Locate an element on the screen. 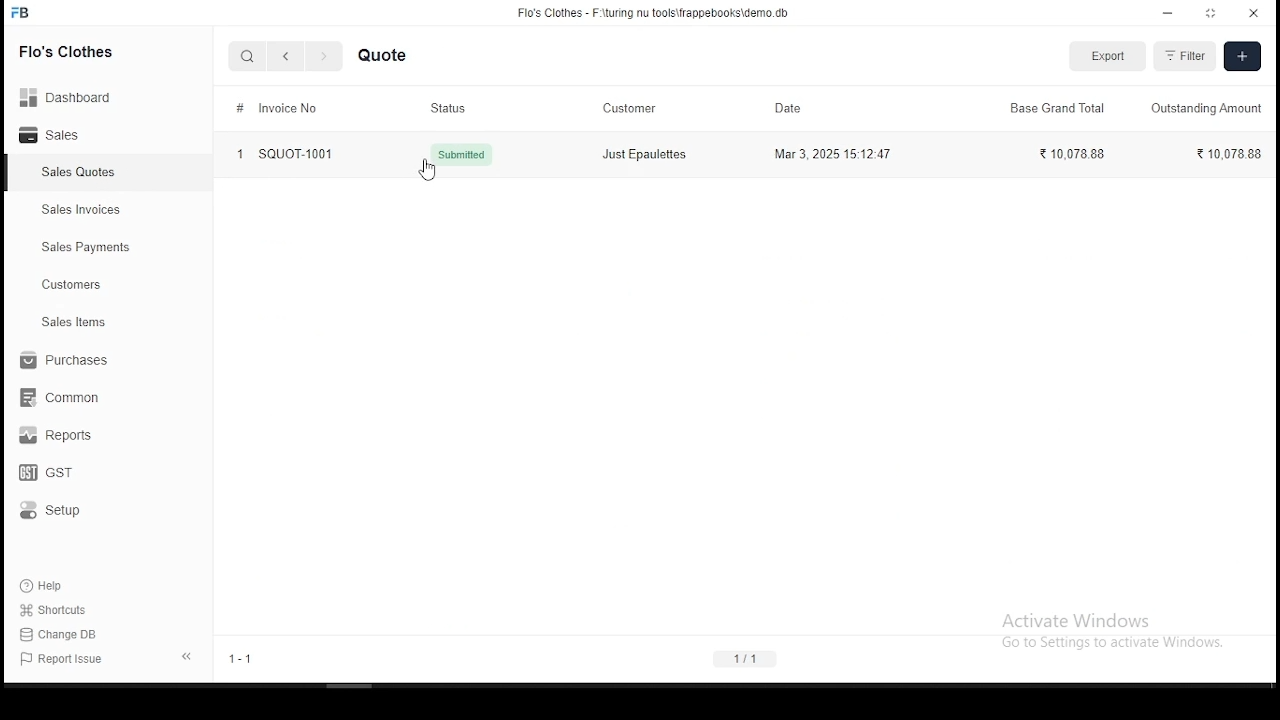 The image size is (1280, 720). 1 SQUOT-1001 is located at coordinates (291, 156).